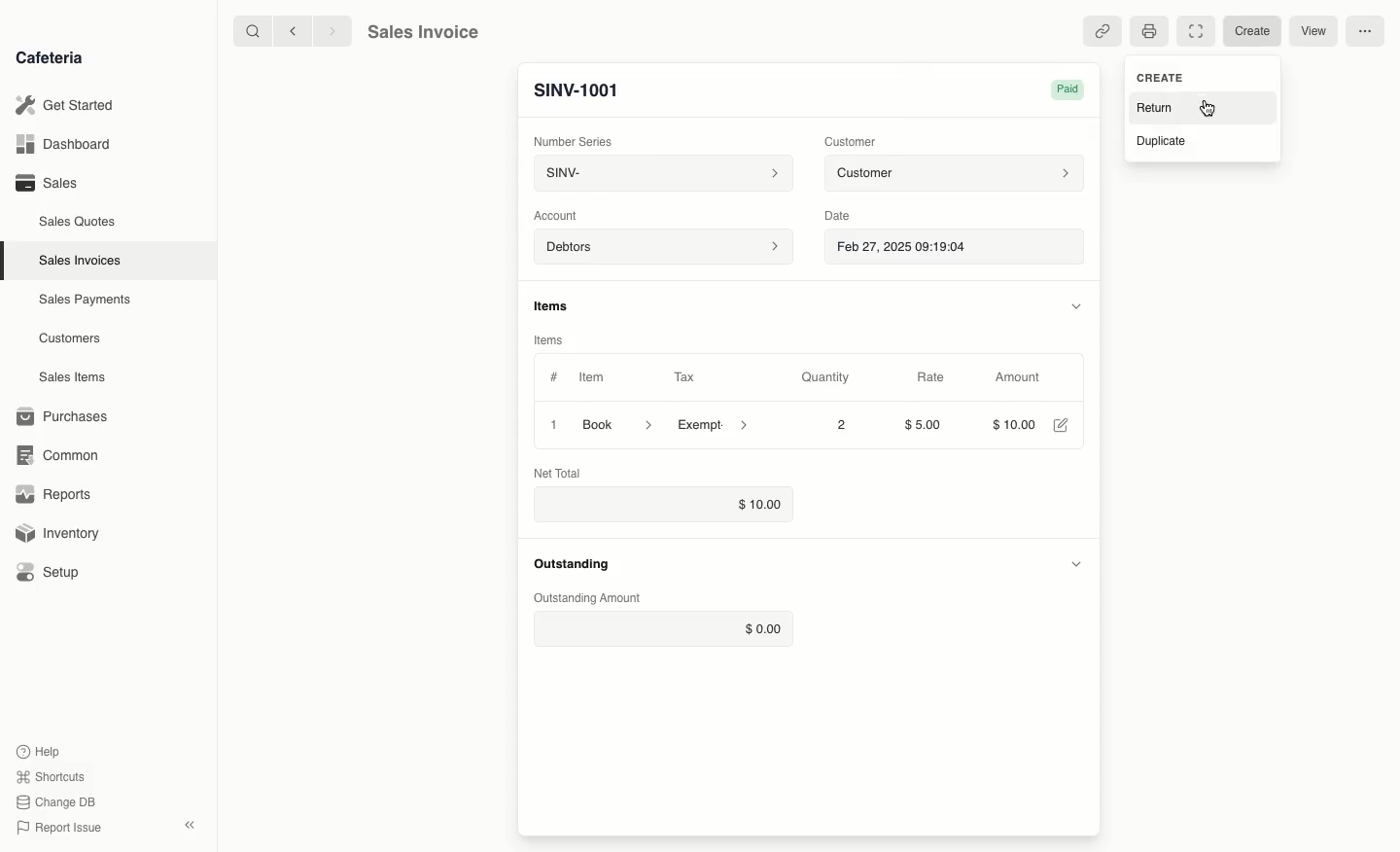  I want to click on Sales, so click(50, 183).